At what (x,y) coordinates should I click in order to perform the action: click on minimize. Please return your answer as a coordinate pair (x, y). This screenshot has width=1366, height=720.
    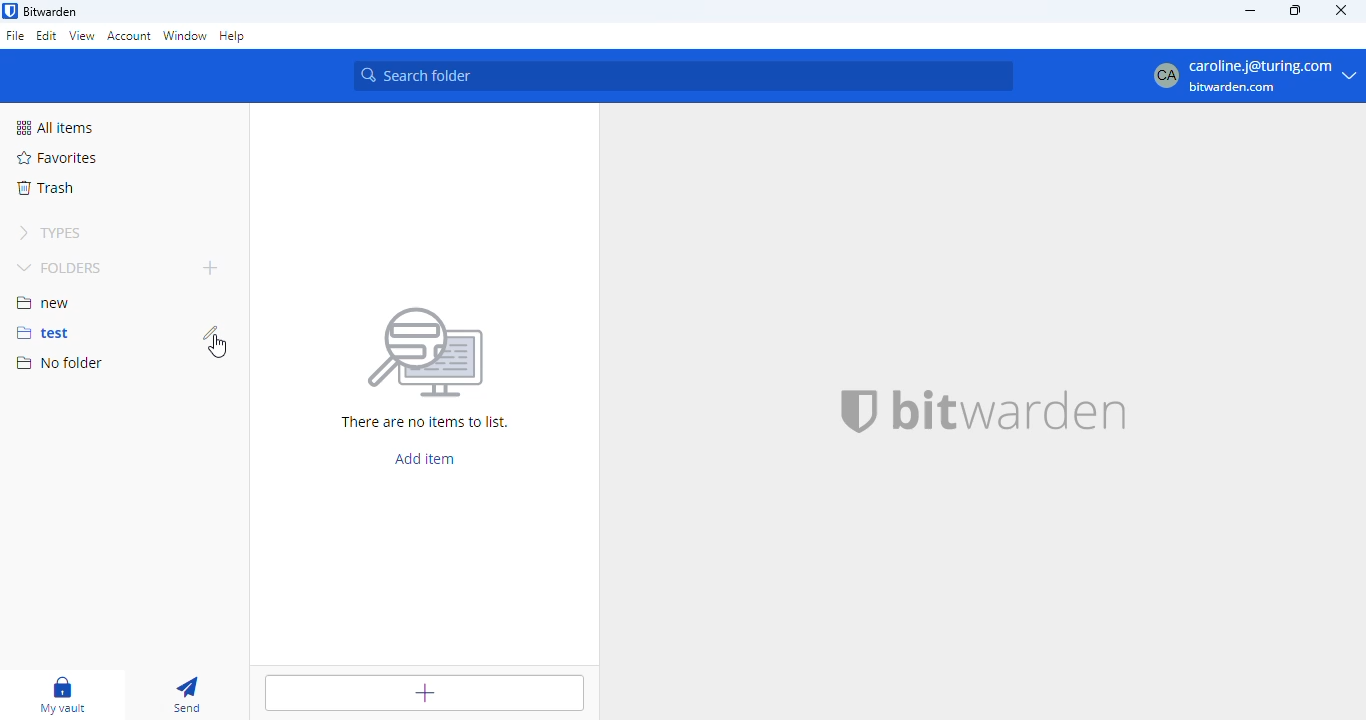
    Looking at the image, I should click on (1250, 11).